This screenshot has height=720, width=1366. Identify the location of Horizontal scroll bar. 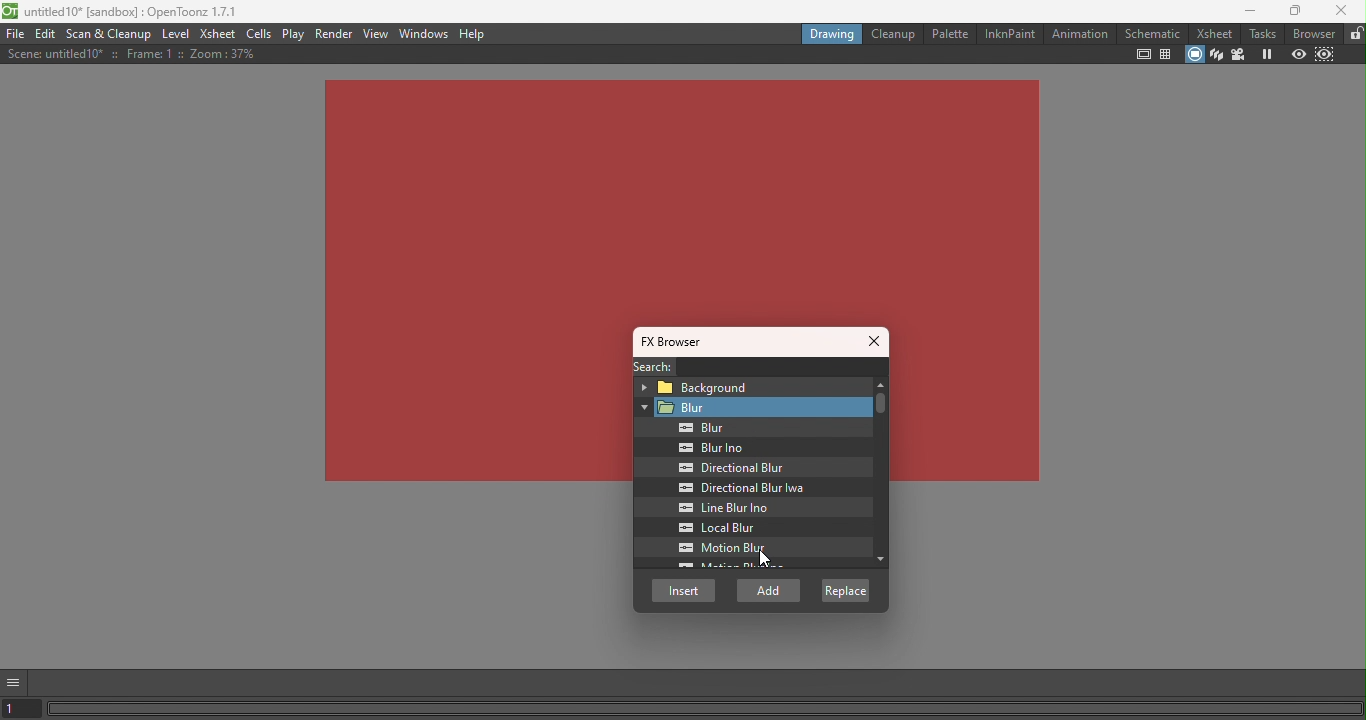
(706, 708).